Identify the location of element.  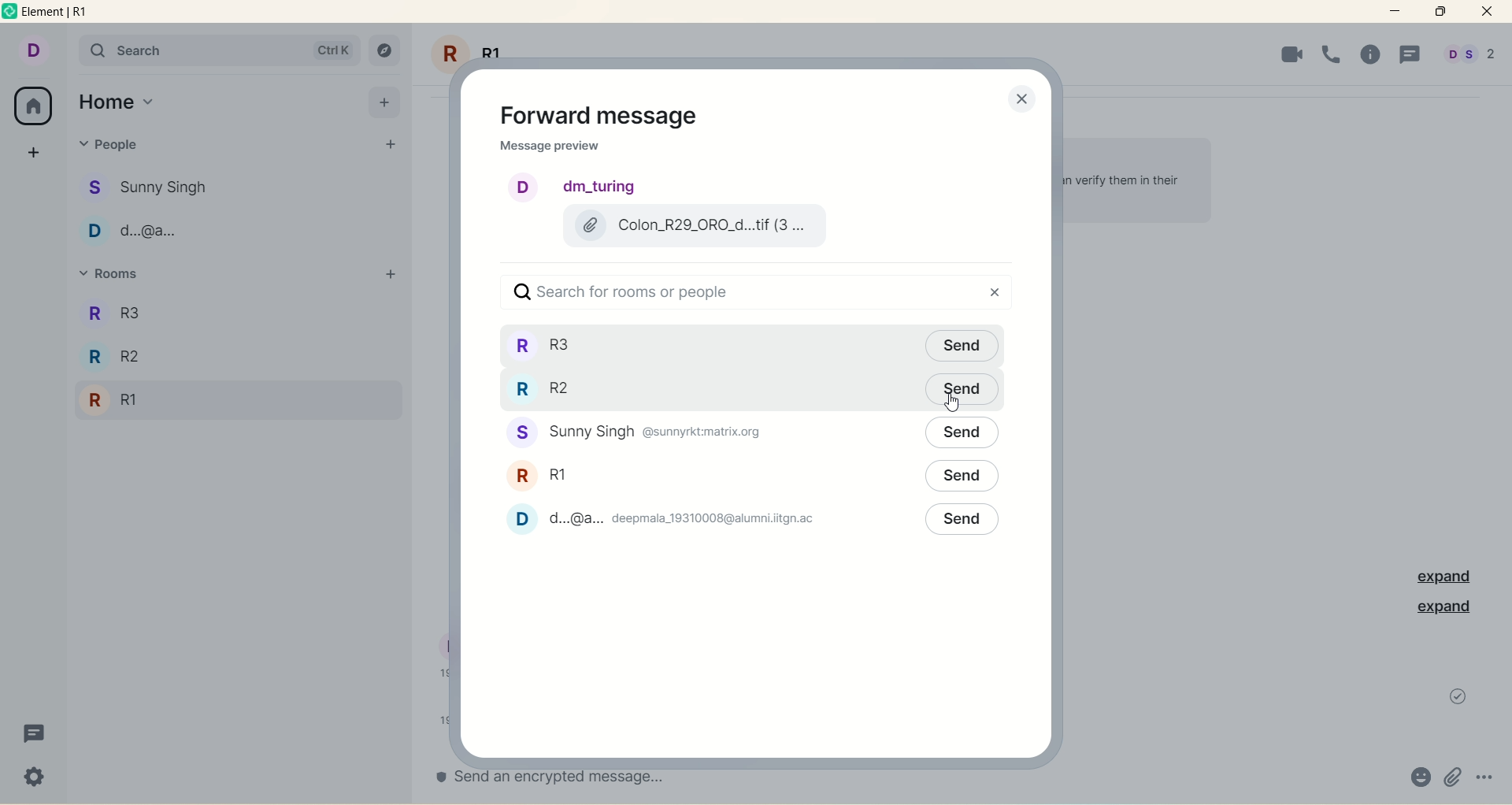
(61, 13).